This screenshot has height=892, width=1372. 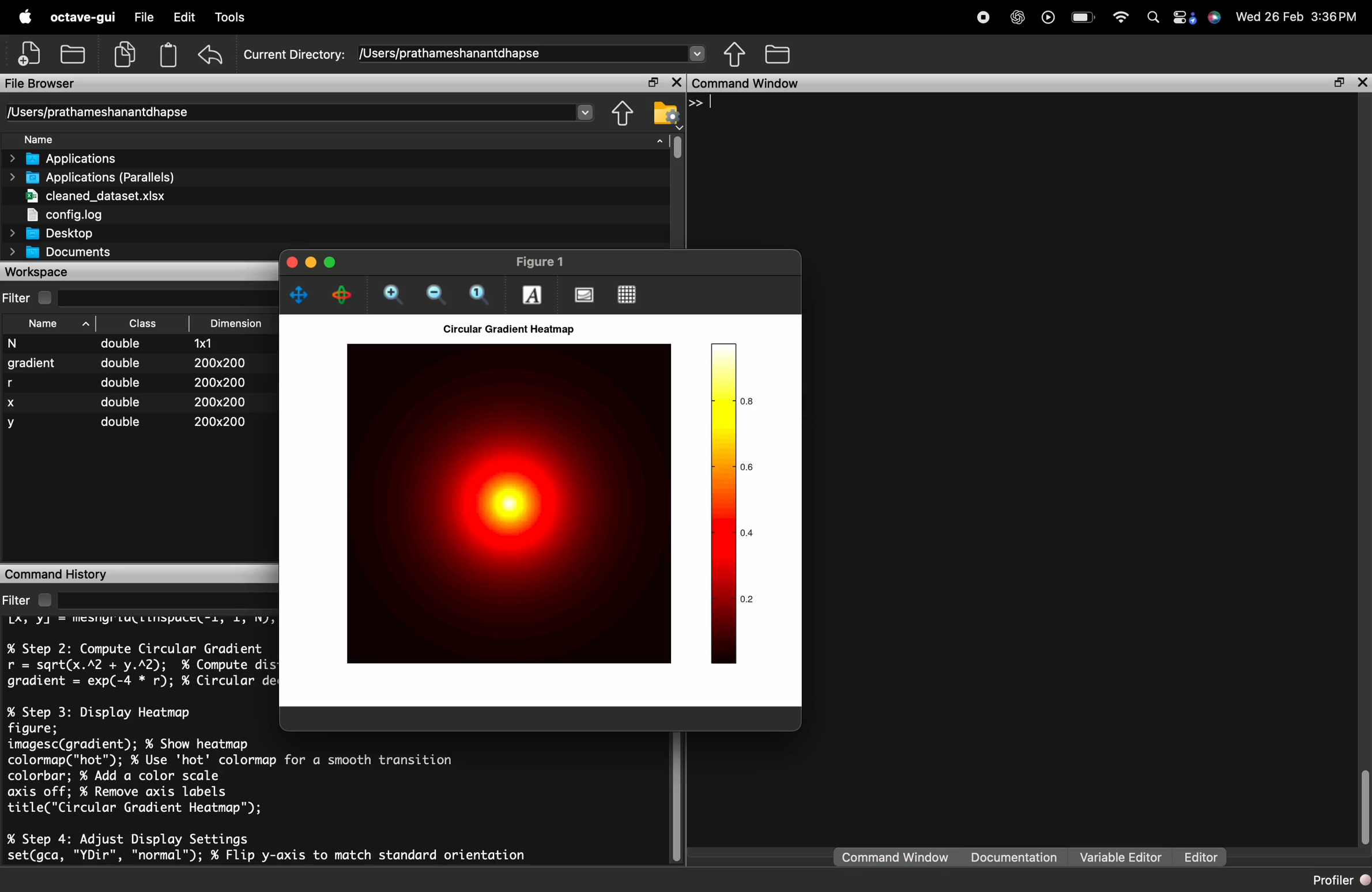 I want to click on copy, so click(x=125, y=54).